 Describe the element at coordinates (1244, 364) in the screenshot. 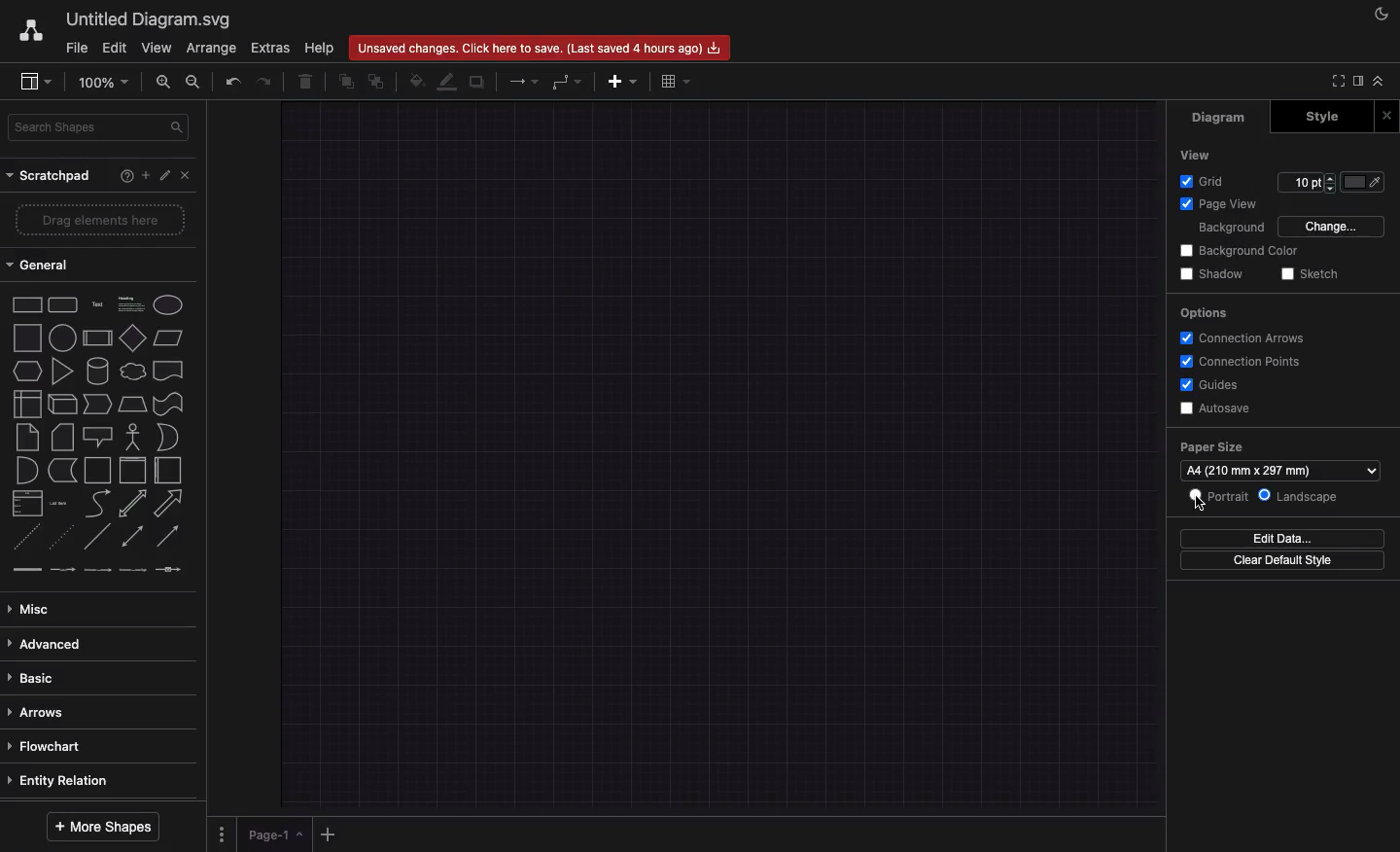

I see `Connection points` at that location.